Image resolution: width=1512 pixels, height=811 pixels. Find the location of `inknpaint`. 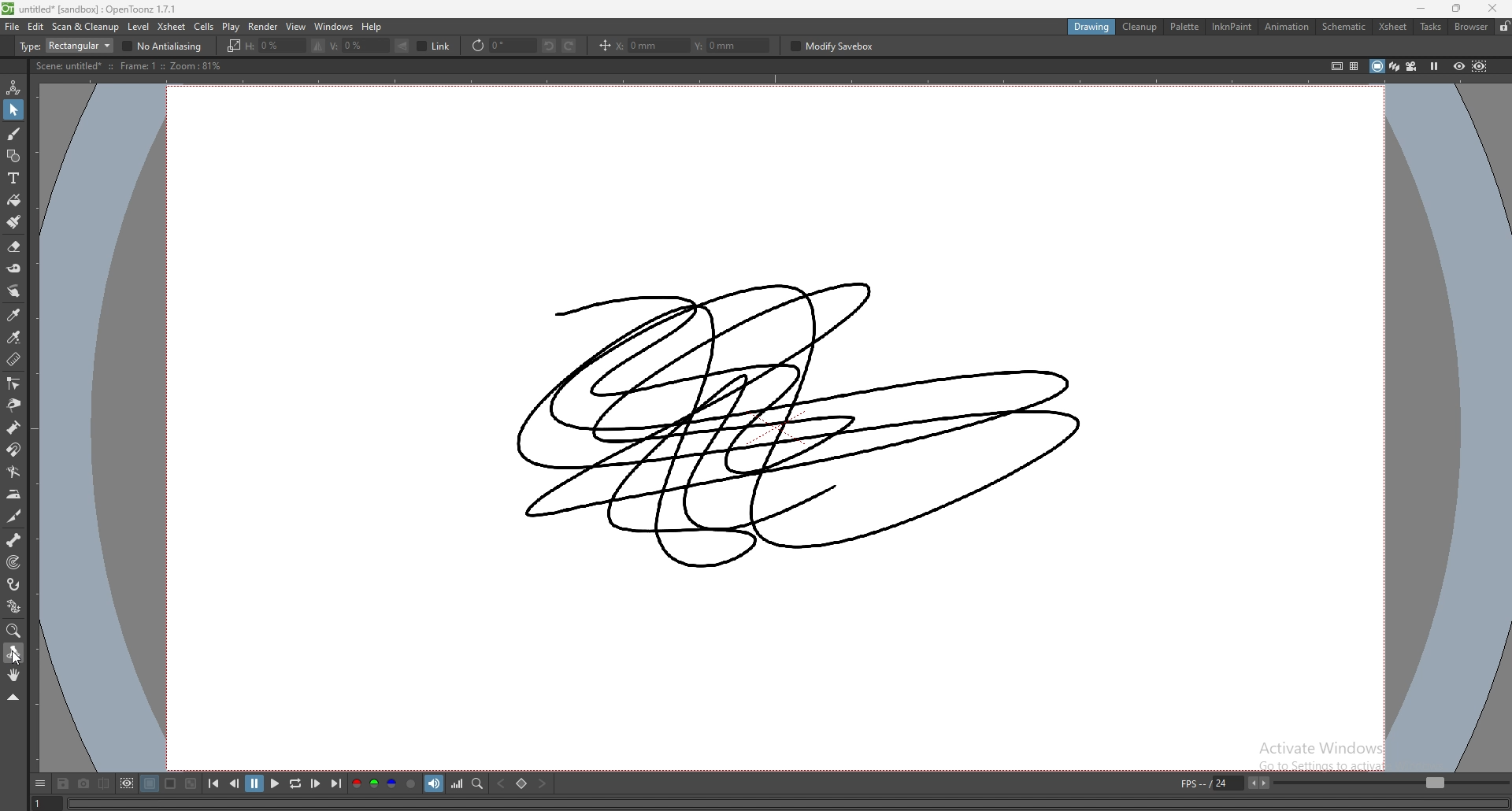

inknpaint is located at coordinates (1236, 26).